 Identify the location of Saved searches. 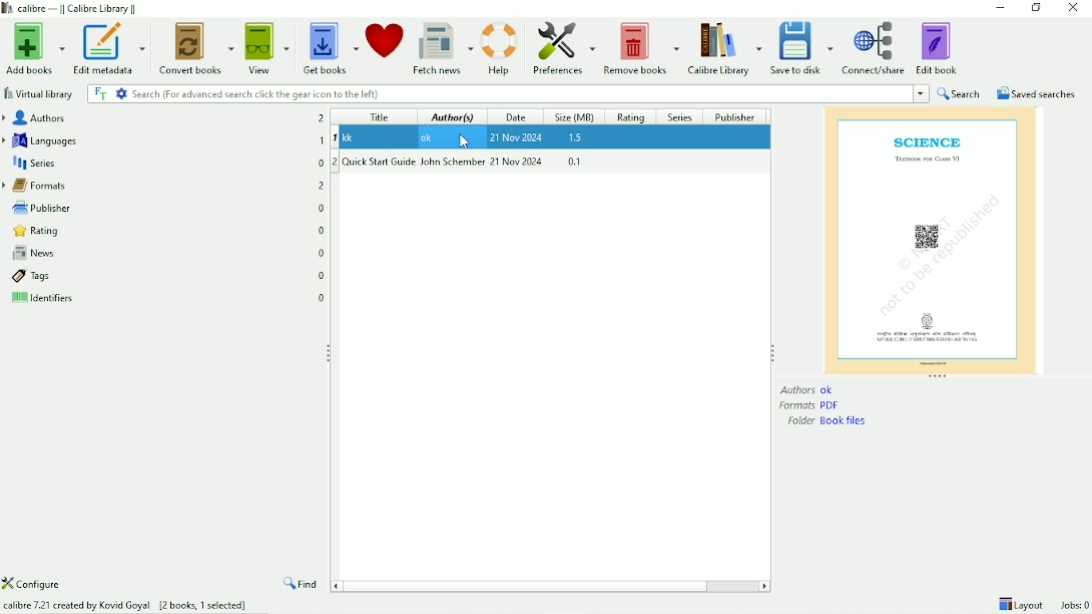
(1036, 93).